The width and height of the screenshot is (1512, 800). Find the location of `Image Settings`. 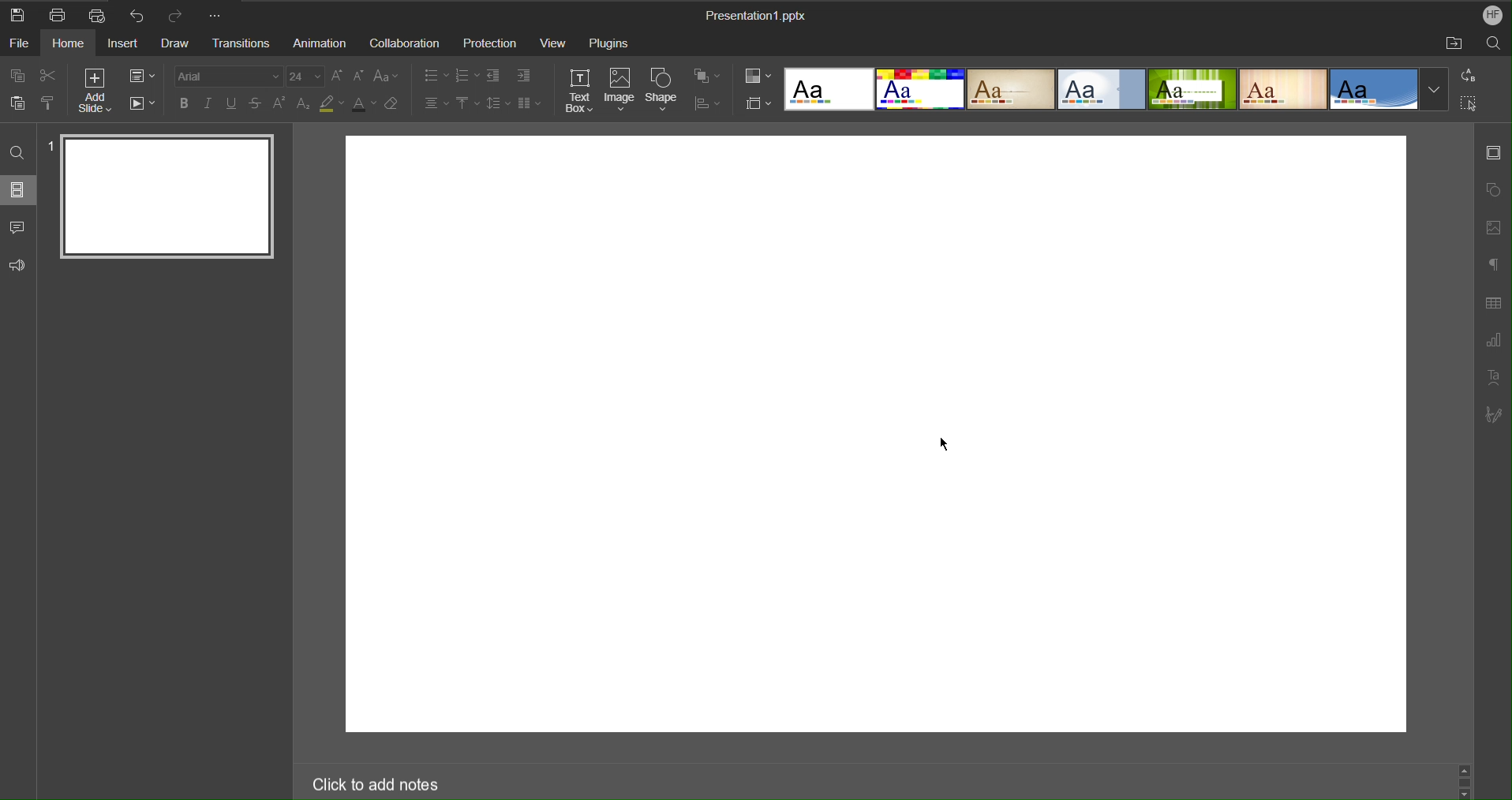

Image Settings is located at coordinates (1493, 230).